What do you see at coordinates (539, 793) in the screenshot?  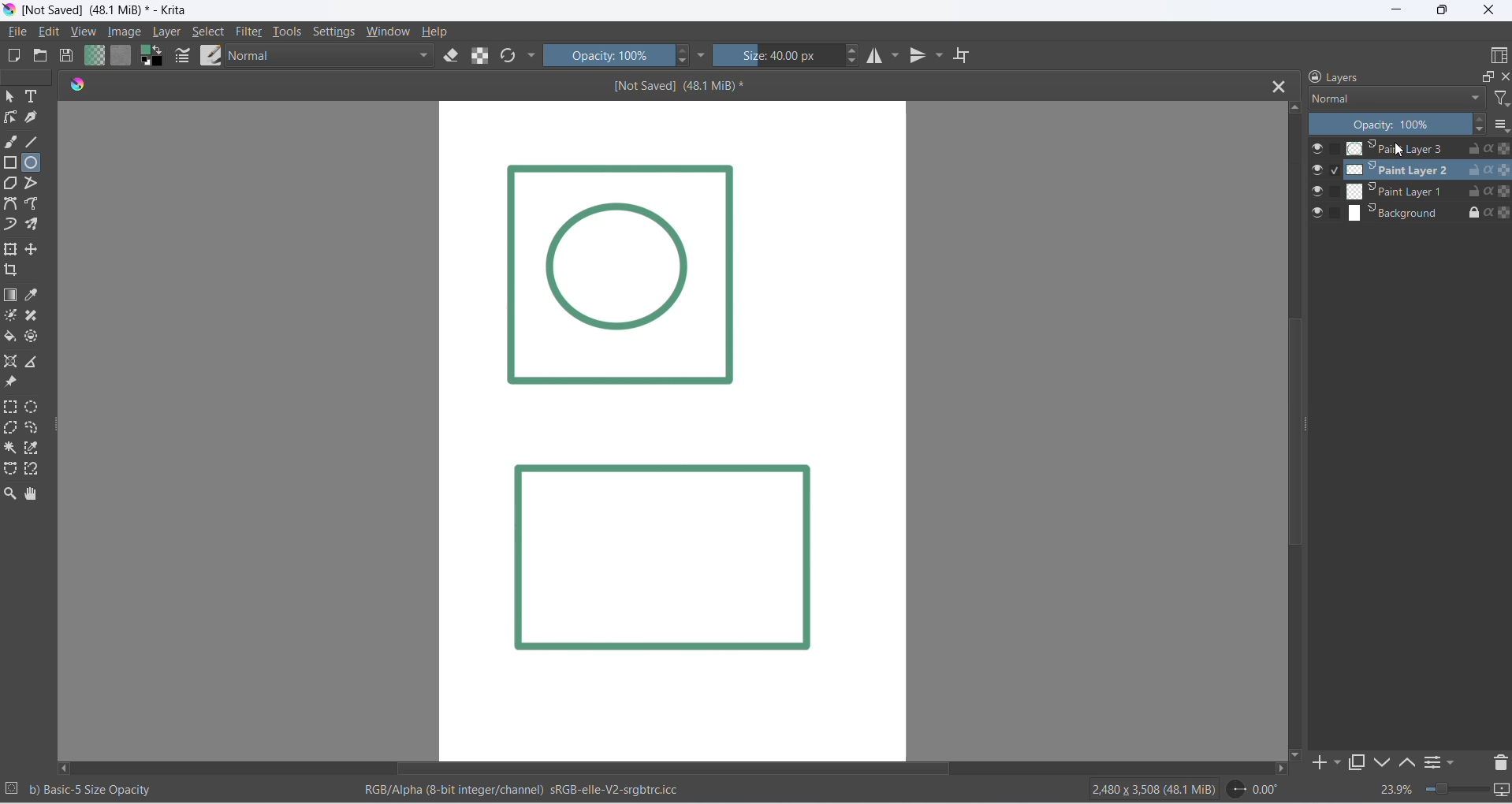 I see `RGB/Alpha (8-bit integer/channel) sRGB-elle-V2-srgbtrc.icc` at bounding box center [539, 793].